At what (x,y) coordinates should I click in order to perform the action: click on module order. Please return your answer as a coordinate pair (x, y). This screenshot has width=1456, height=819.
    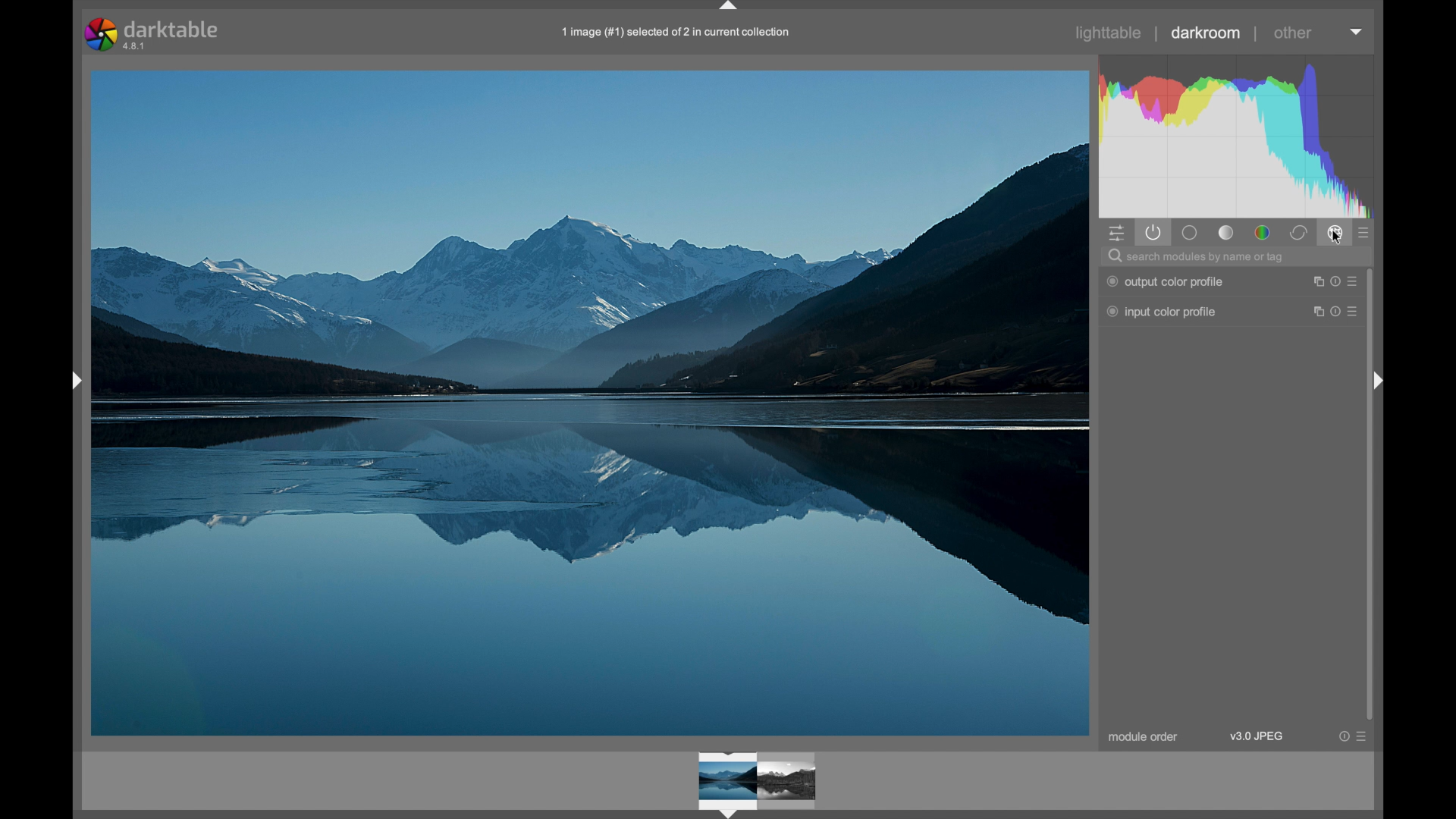
    Looking at the image, I should click on (1144, 736).